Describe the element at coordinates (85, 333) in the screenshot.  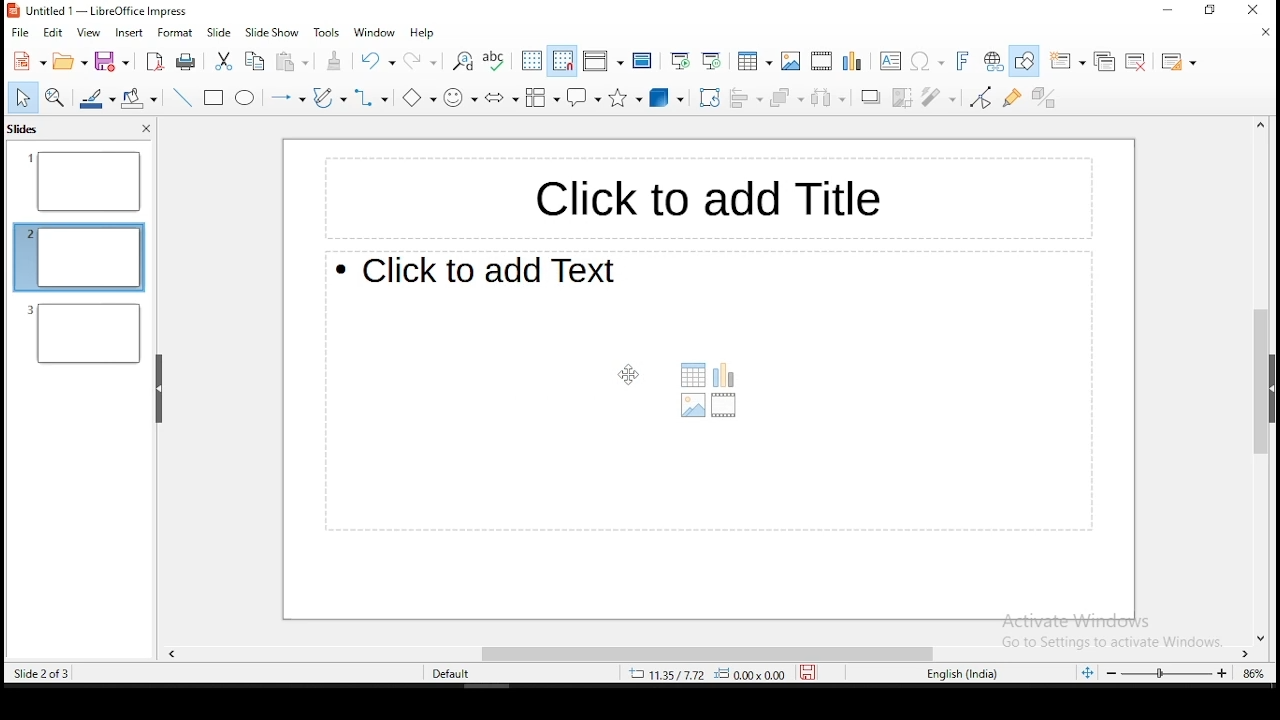
I see `slide 2` at that location.